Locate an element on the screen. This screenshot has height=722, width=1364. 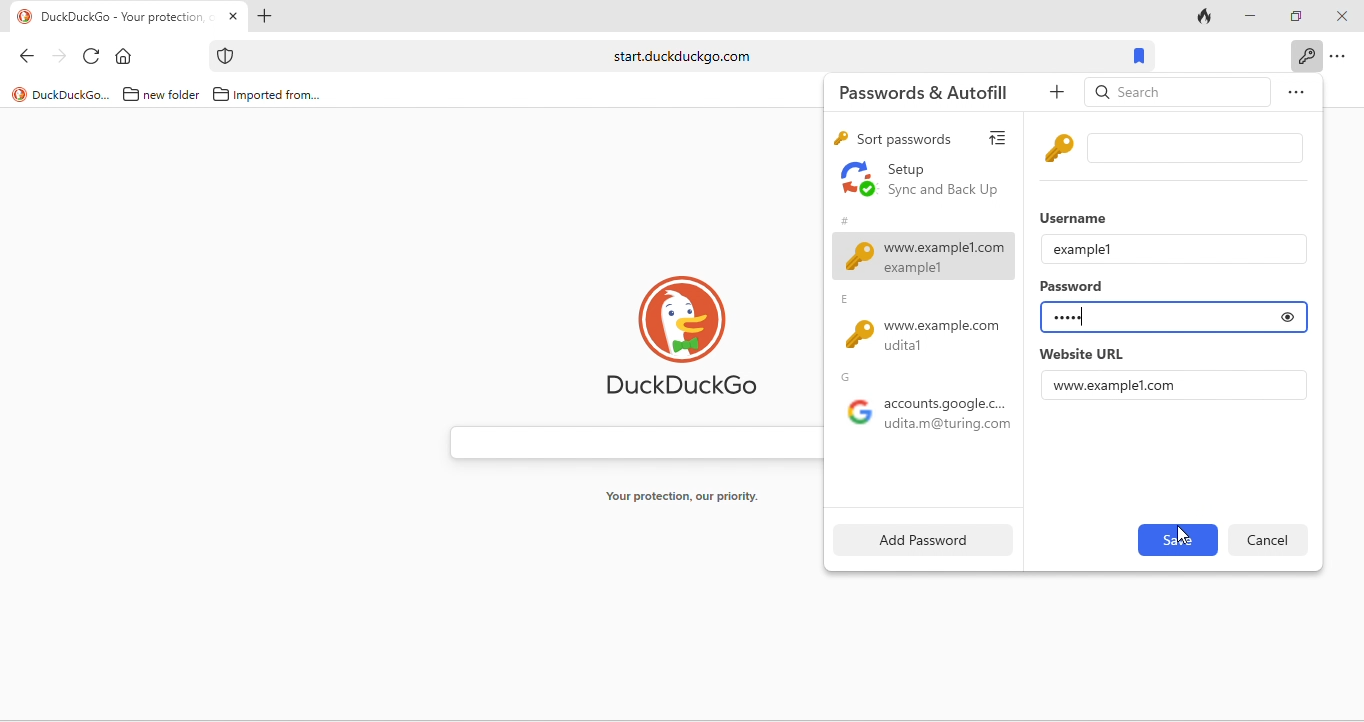
duck duck go logo is located at coordinates (683, 333).